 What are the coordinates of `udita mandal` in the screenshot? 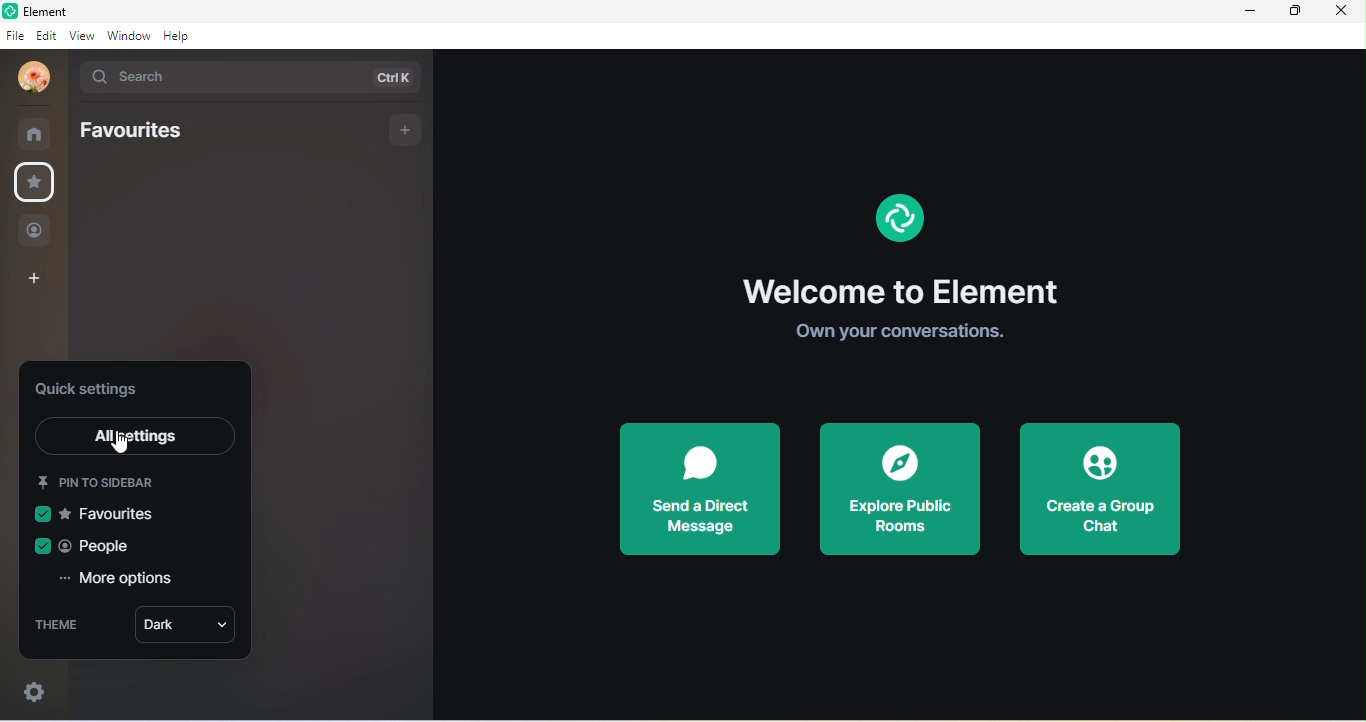 It's located at (29, 78).